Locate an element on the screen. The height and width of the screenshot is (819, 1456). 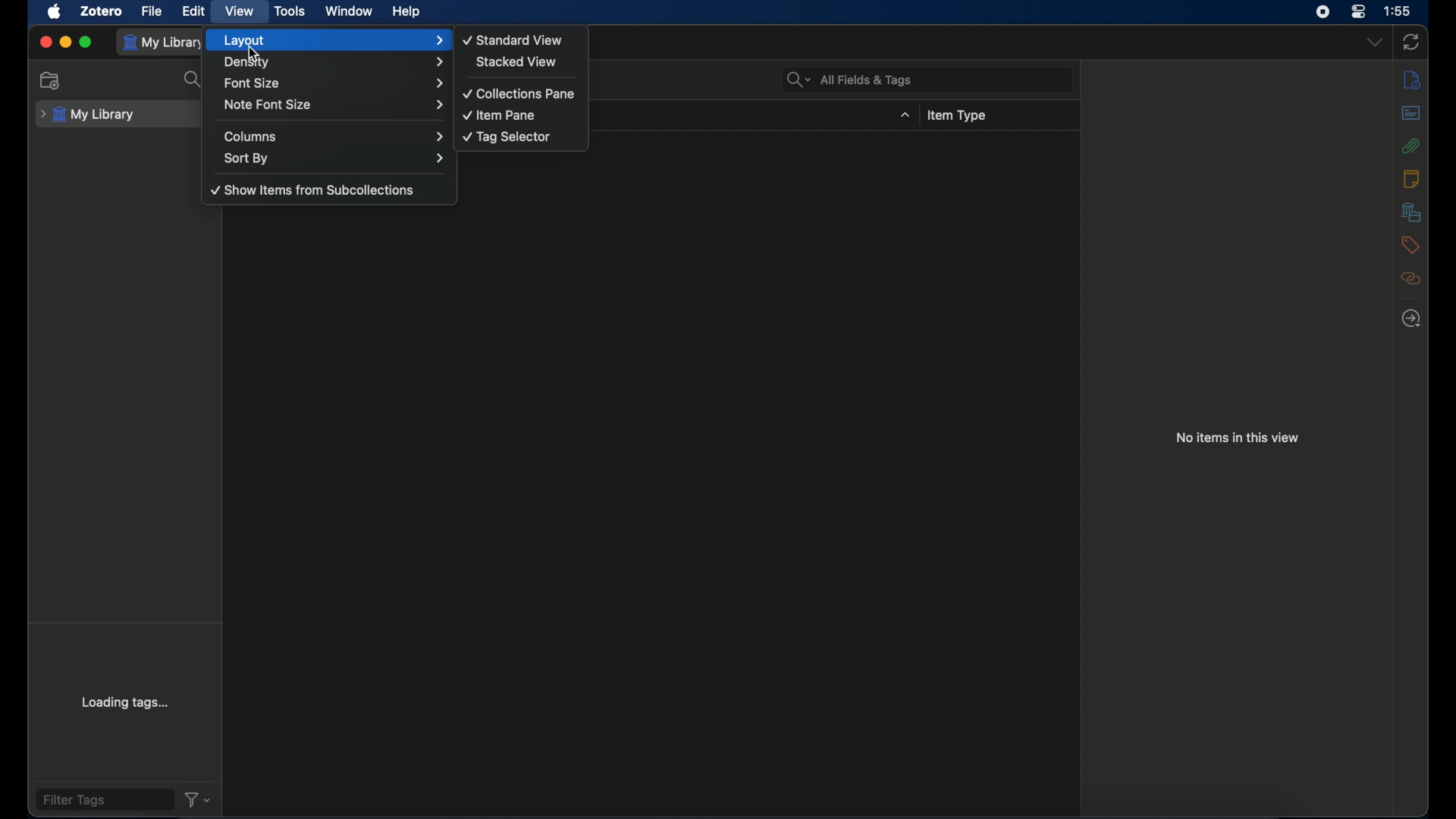
tags is located at coordinates (1409, 245).